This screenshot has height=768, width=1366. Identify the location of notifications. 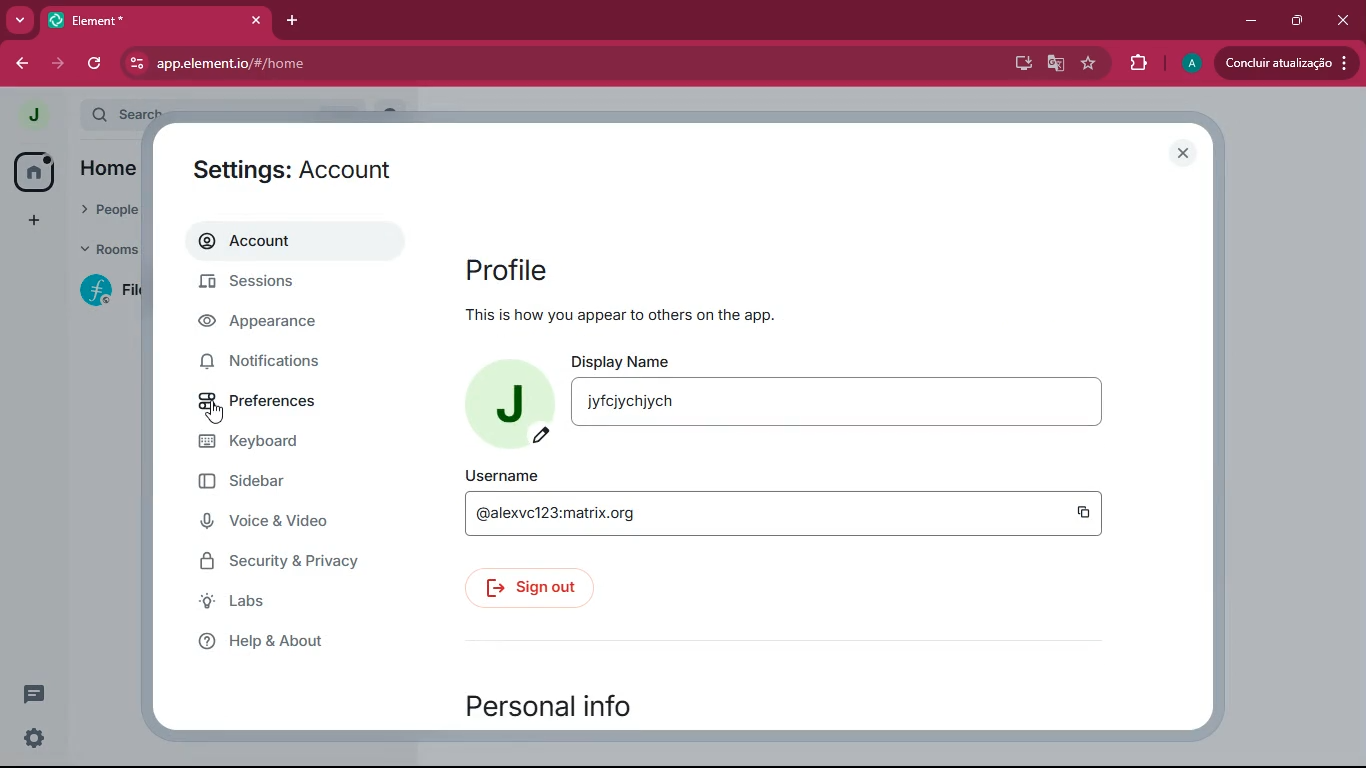
(275, 362).